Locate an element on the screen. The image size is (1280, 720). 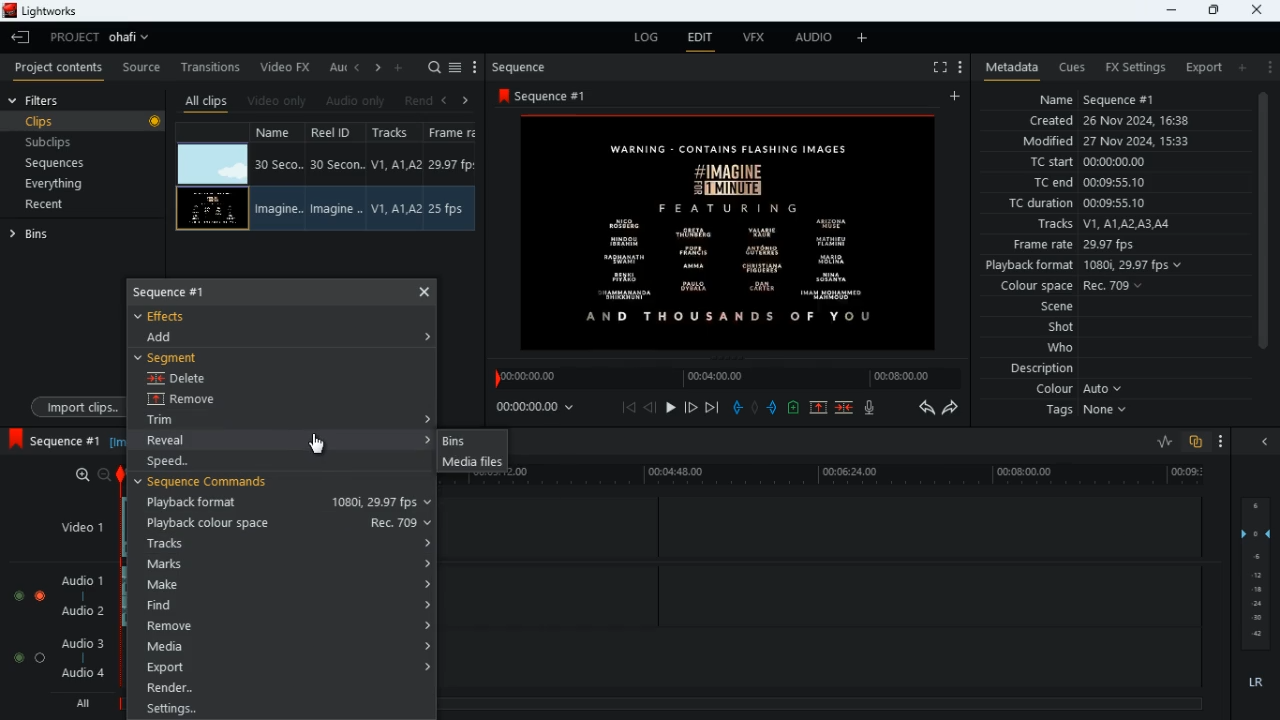
add is located at coordinates (1247, 68).